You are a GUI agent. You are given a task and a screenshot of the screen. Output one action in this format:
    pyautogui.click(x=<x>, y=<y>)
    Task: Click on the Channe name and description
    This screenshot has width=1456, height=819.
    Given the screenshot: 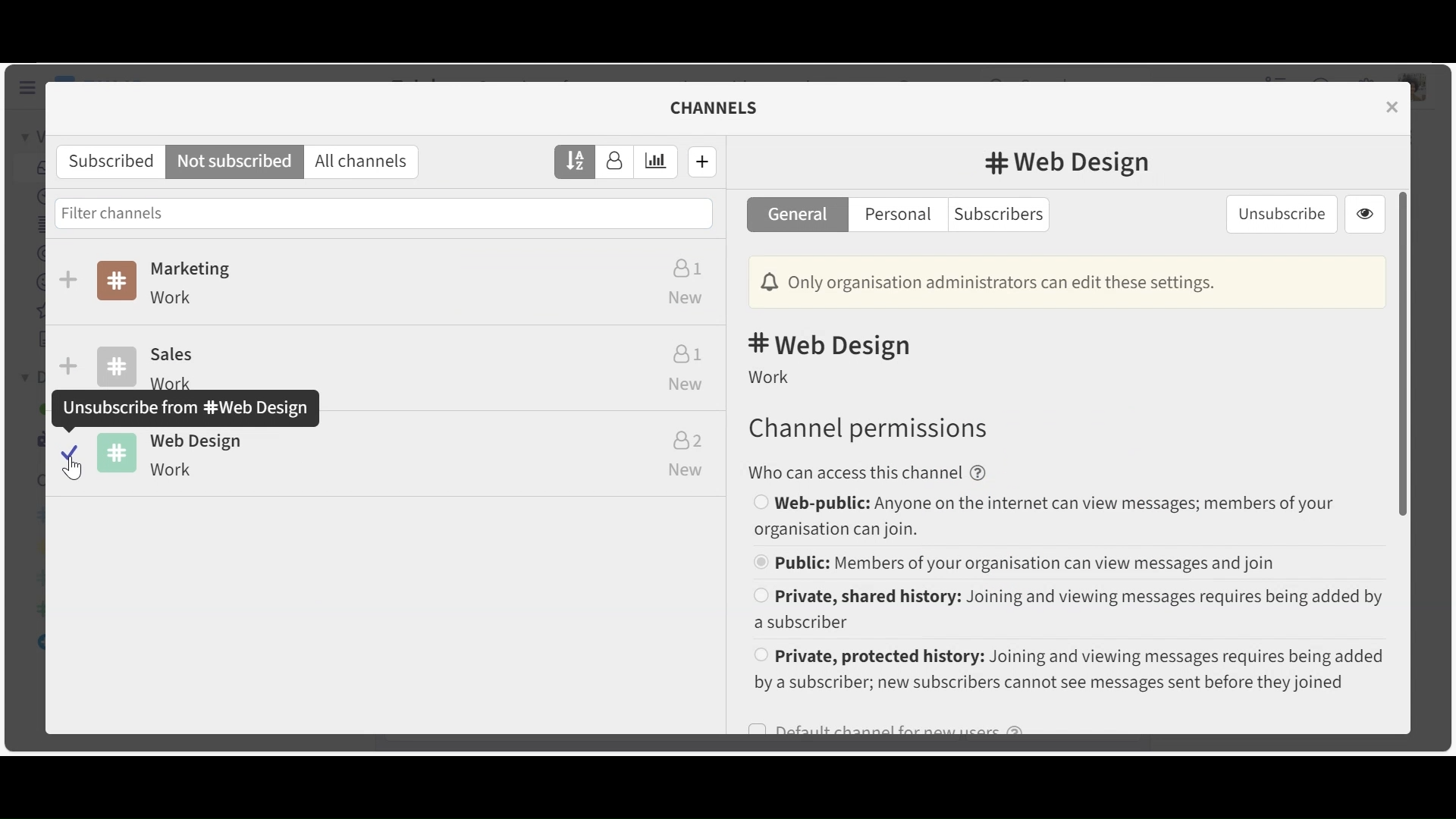 What is the action you would take?
    pyautogui.click(x=403, y=357)
    